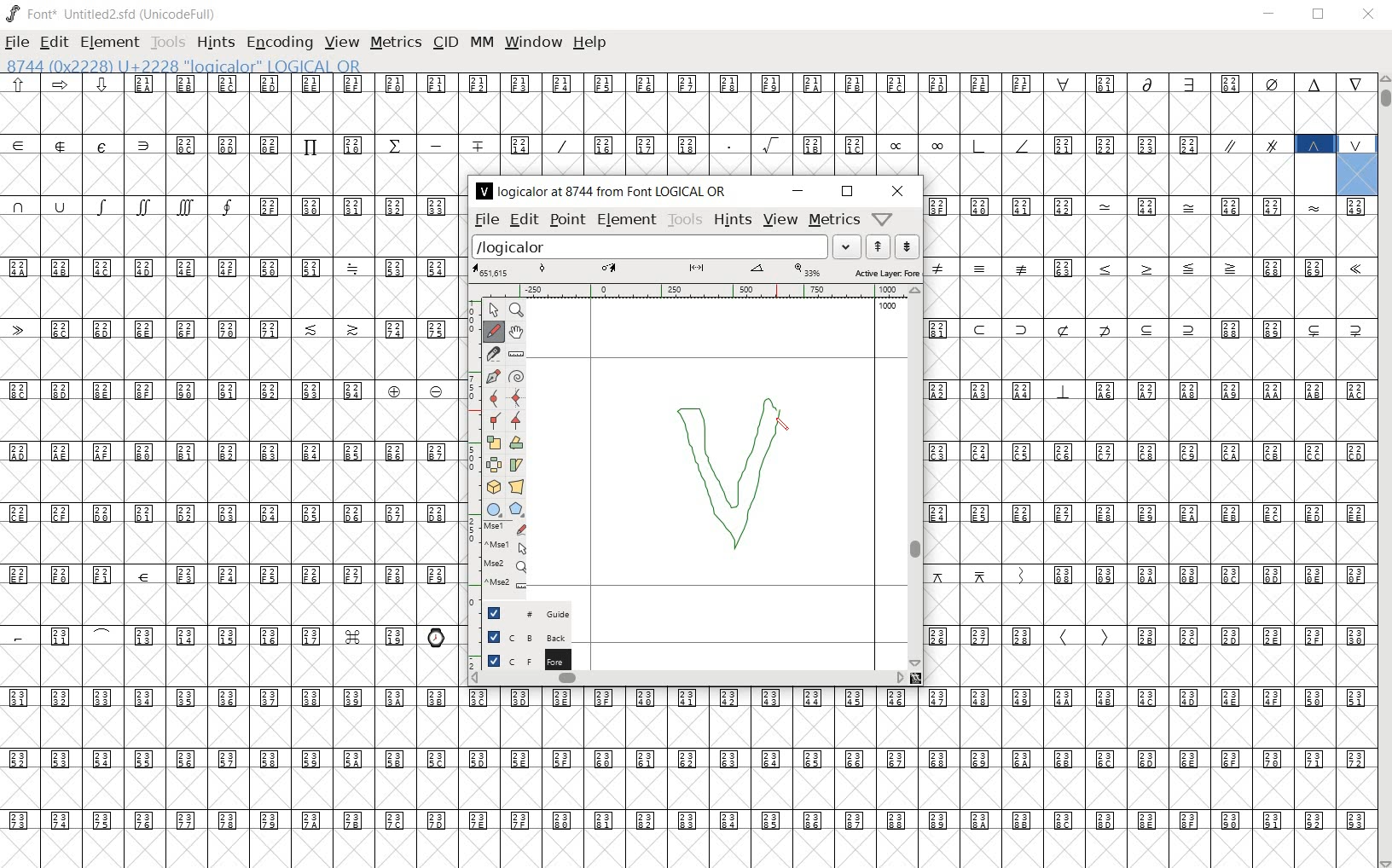  I want to click on foreground layer, so click(519, 659).